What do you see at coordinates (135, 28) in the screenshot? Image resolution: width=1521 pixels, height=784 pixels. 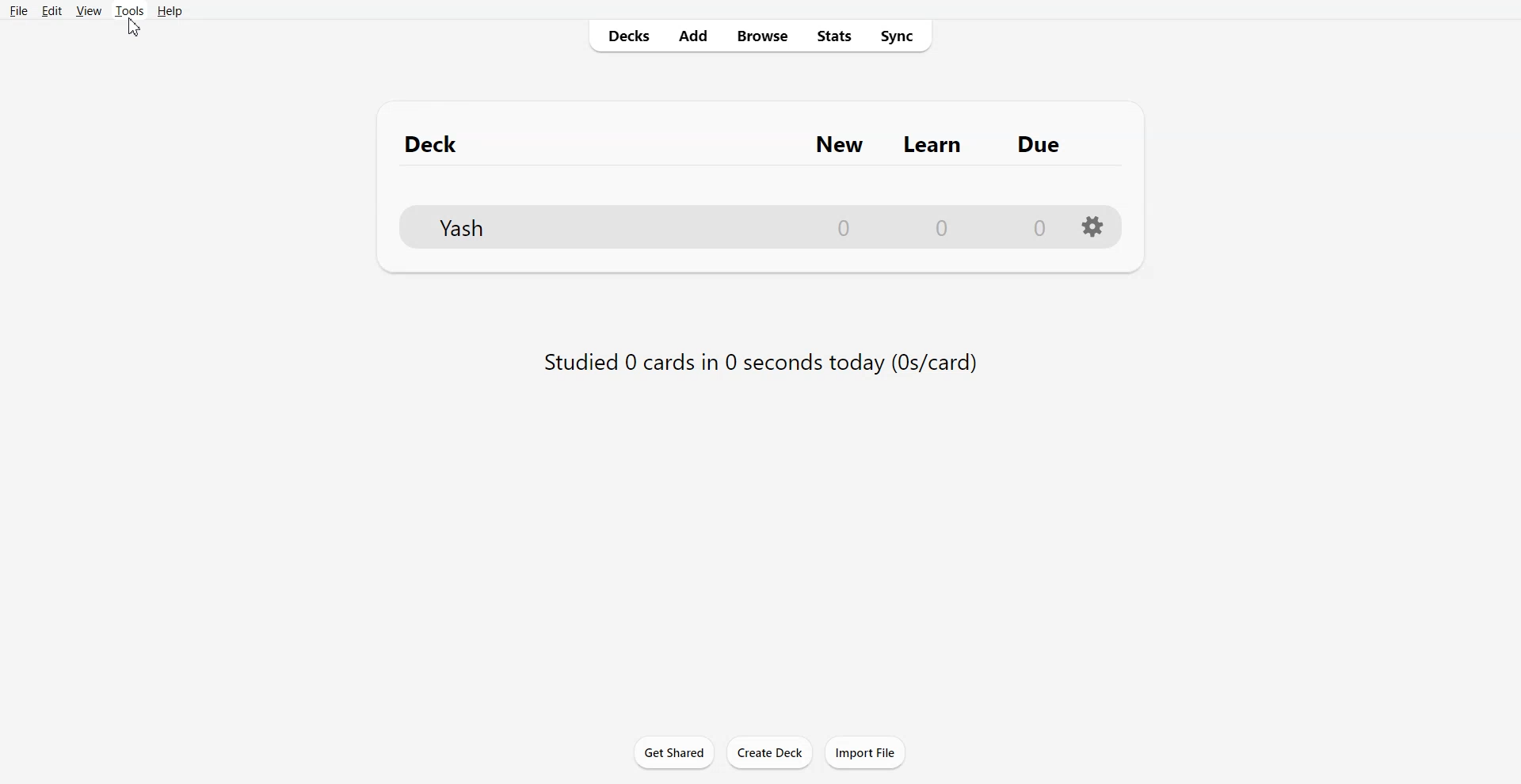 I see `cursor` at bounding box center [135, 28].